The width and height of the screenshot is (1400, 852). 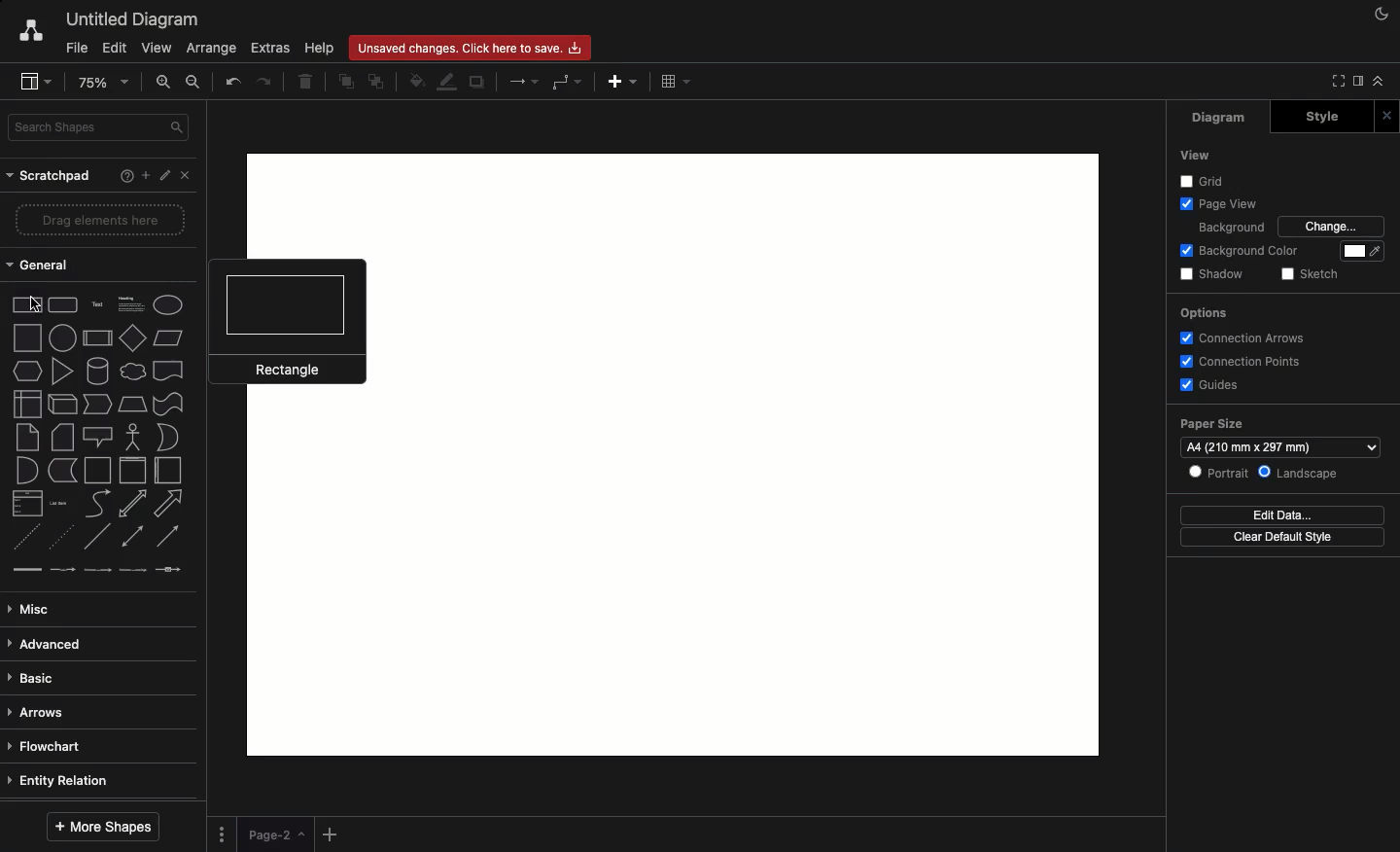 What do you see at coordinates (122, 176) in the screenshot?
I see `Help` at bounding box center [122, 176].